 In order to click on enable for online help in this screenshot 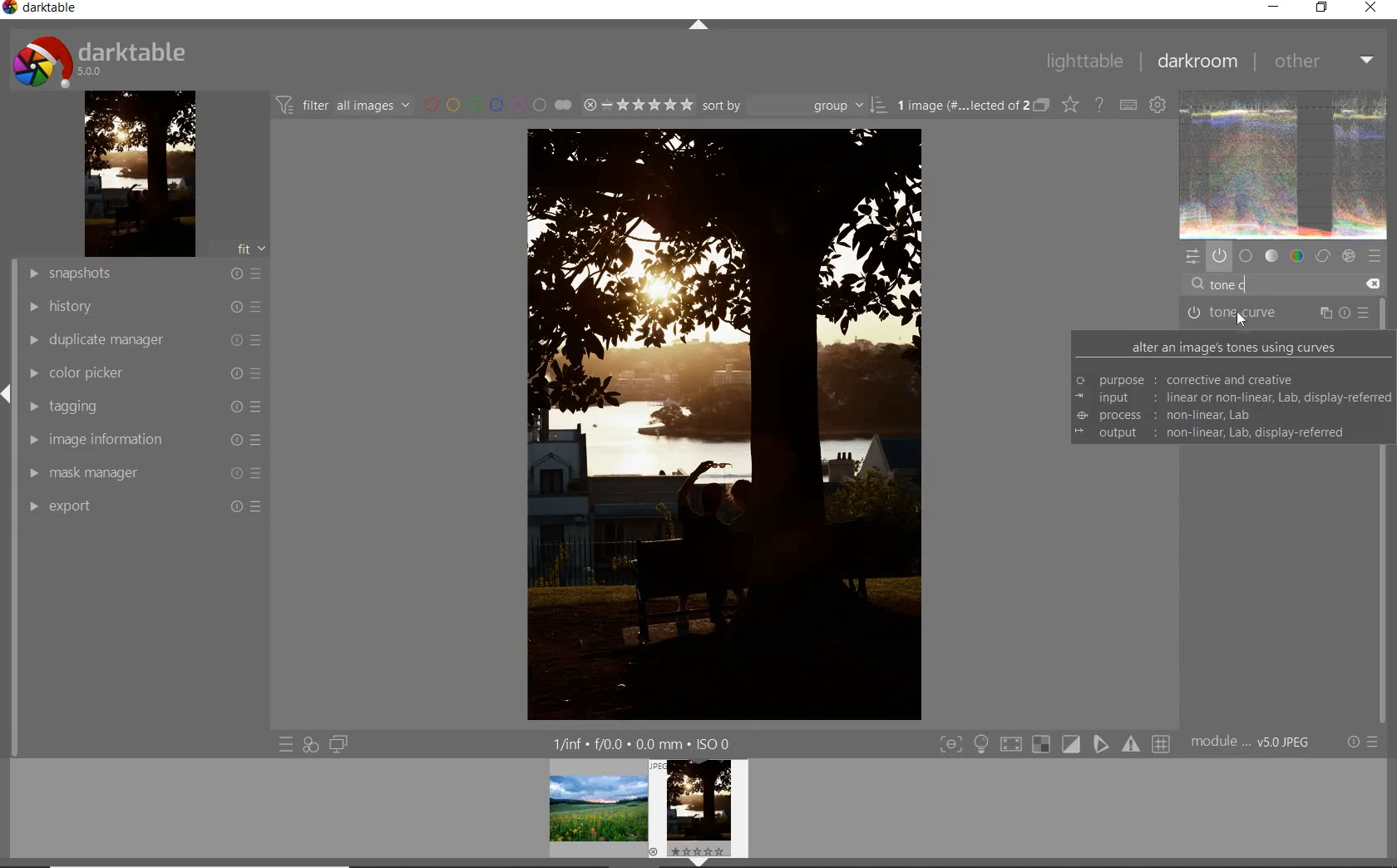, I will do `click(1102, 106)`.